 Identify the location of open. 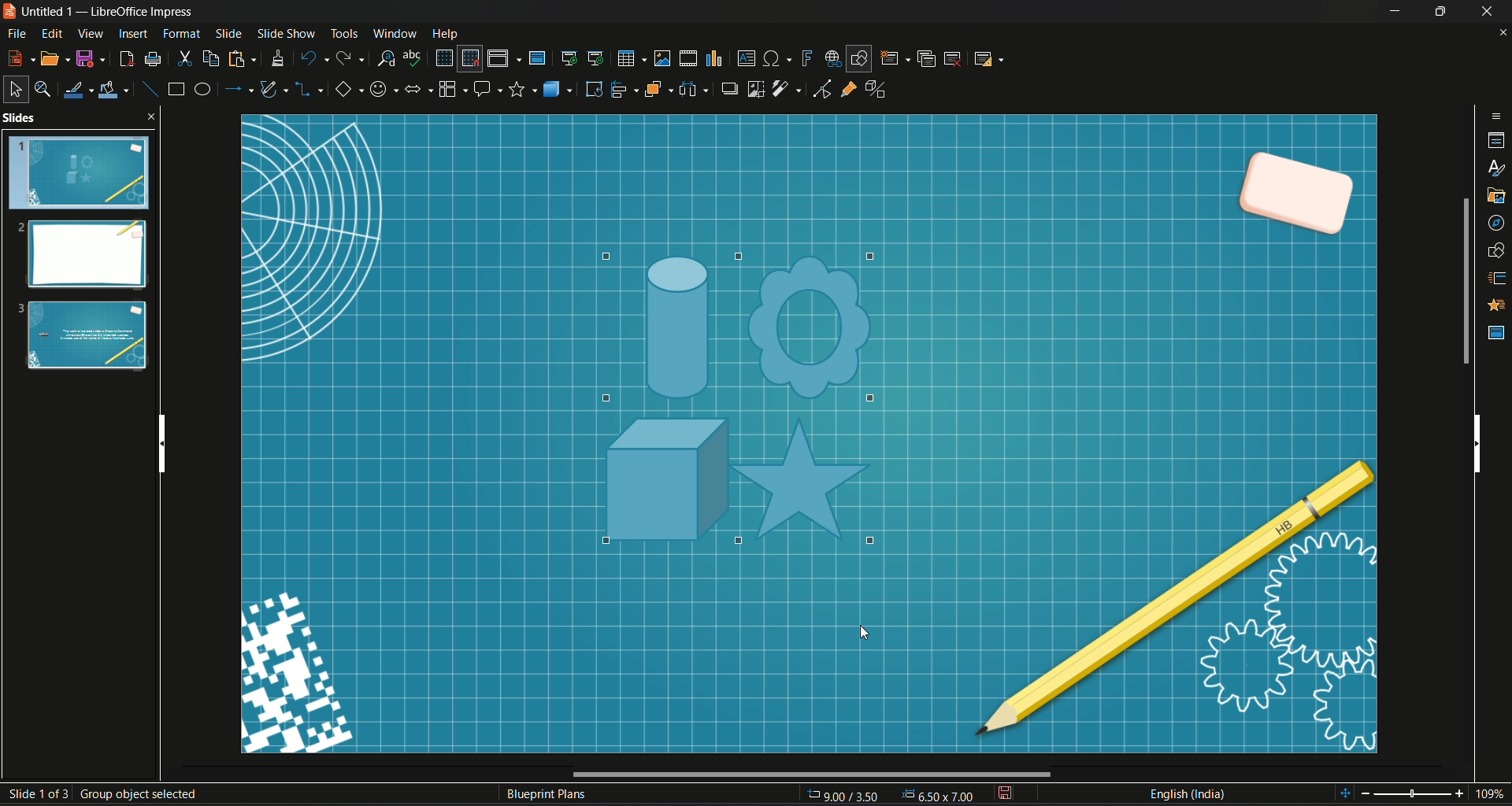
(56, 58).